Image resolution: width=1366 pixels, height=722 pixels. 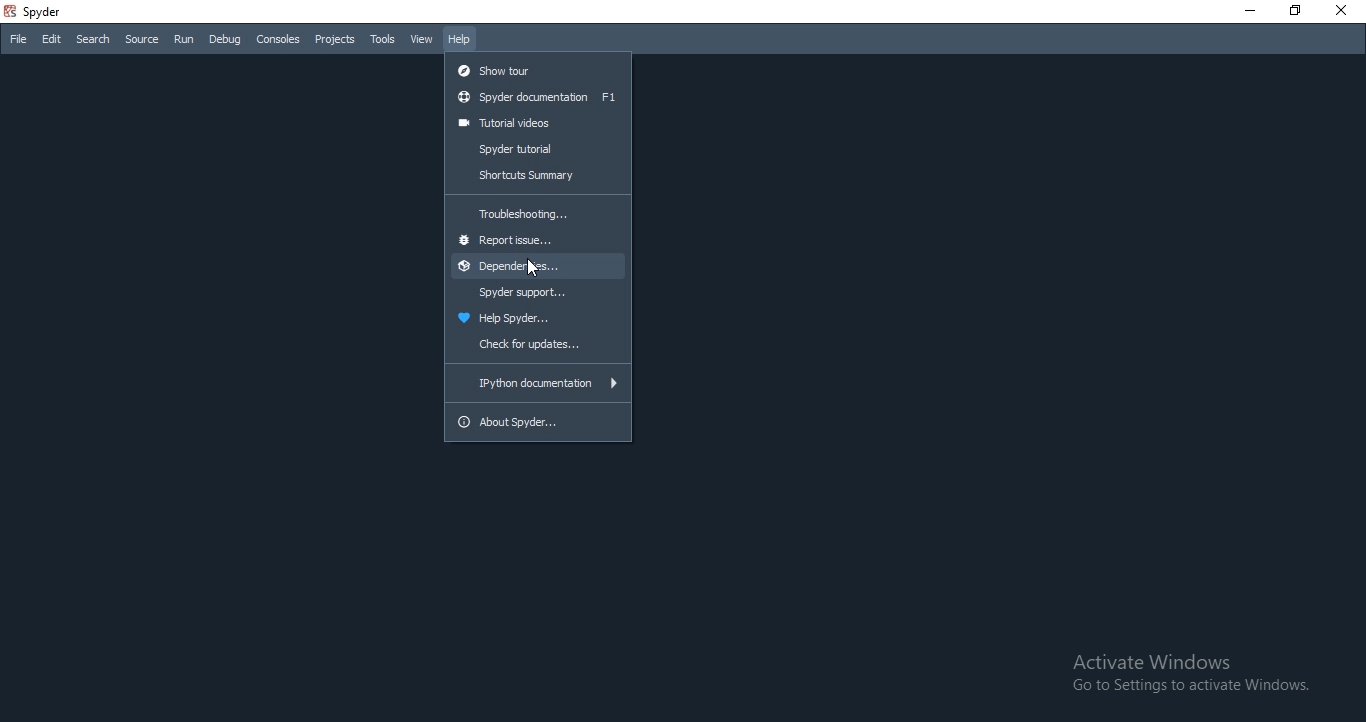 What do you see at coordinates (1346, 10) in the screenshot?
I see `Close` at bounding box center [1346, 10].